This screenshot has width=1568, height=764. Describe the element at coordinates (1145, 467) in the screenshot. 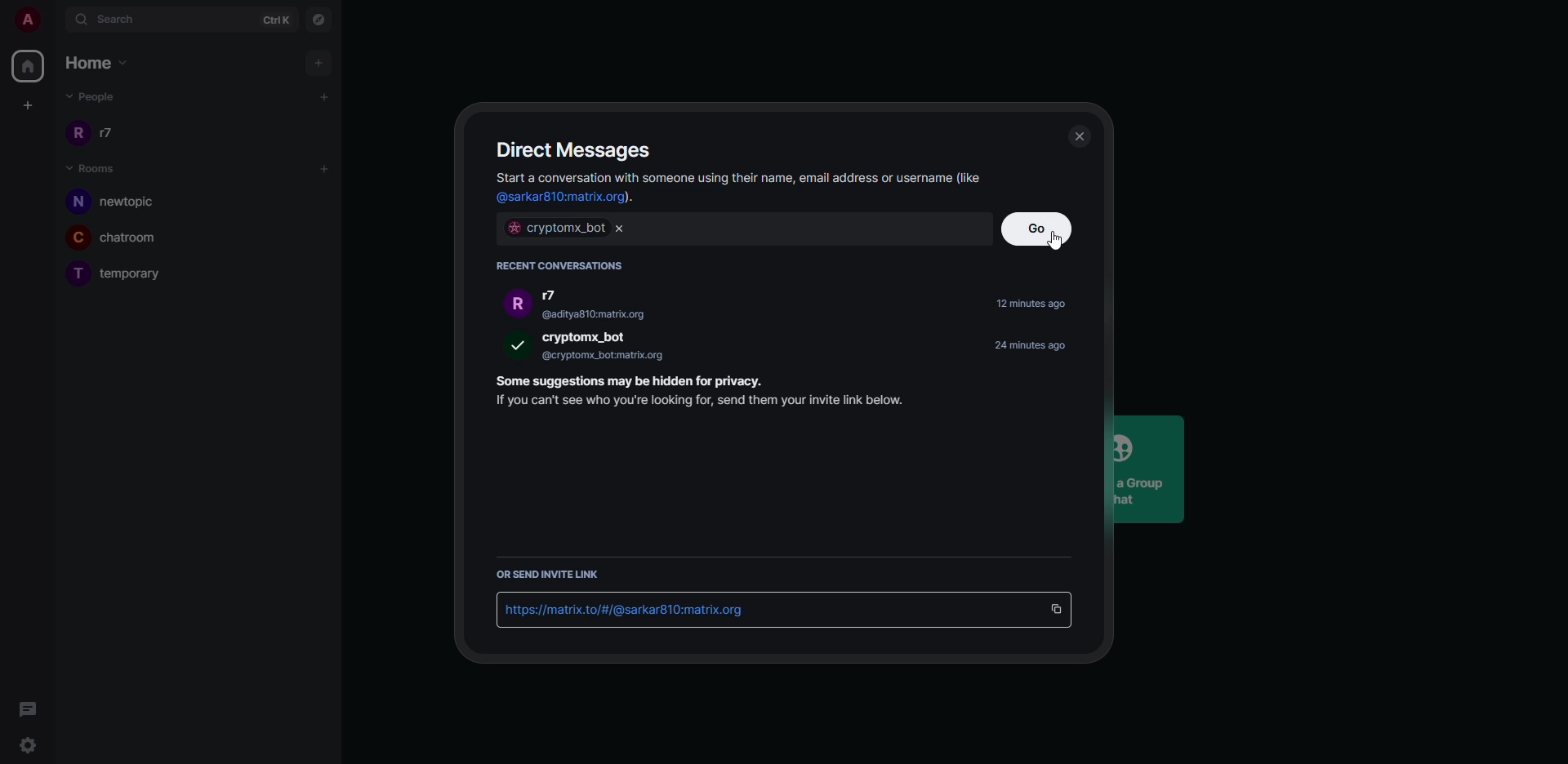

I see `Create a GroupChat` at that location.